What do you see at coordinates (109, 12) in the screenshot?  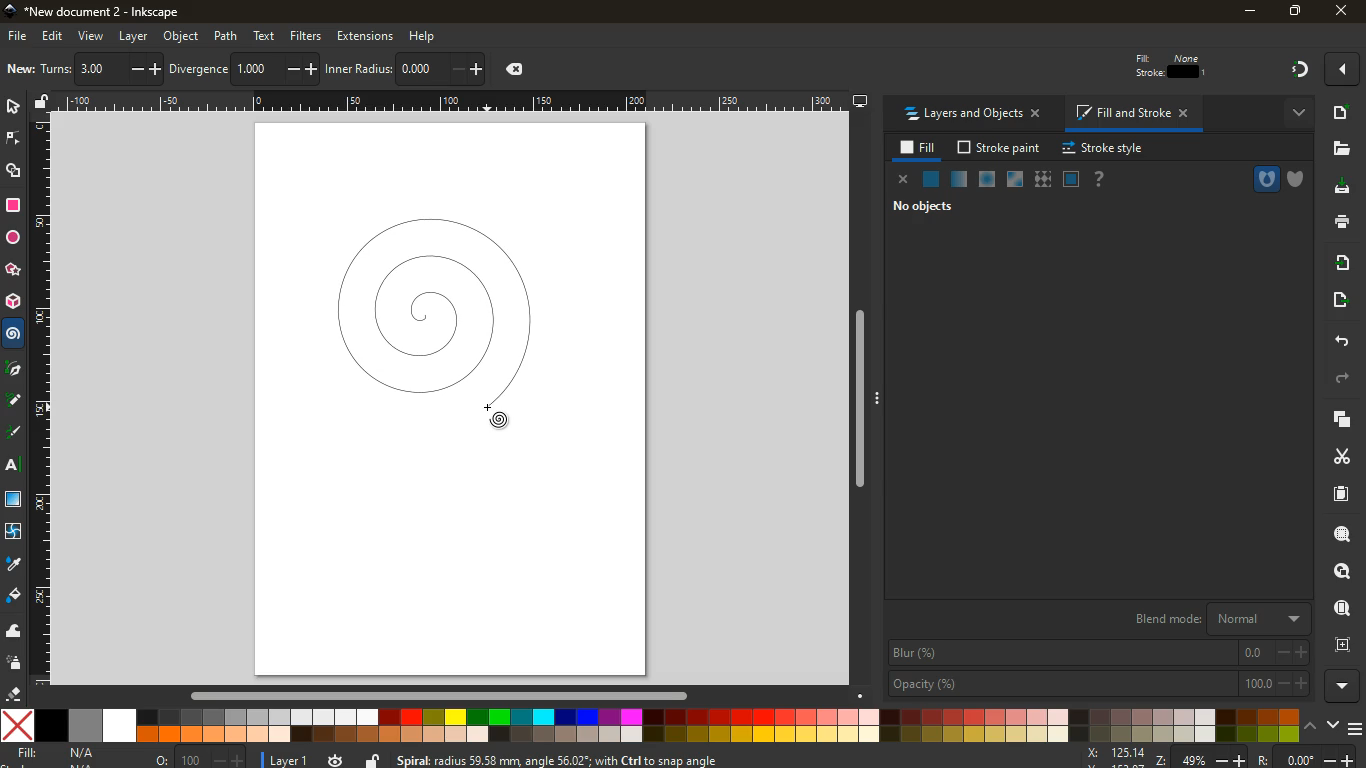 I see `inkscape` at bounding box center [109, 12].